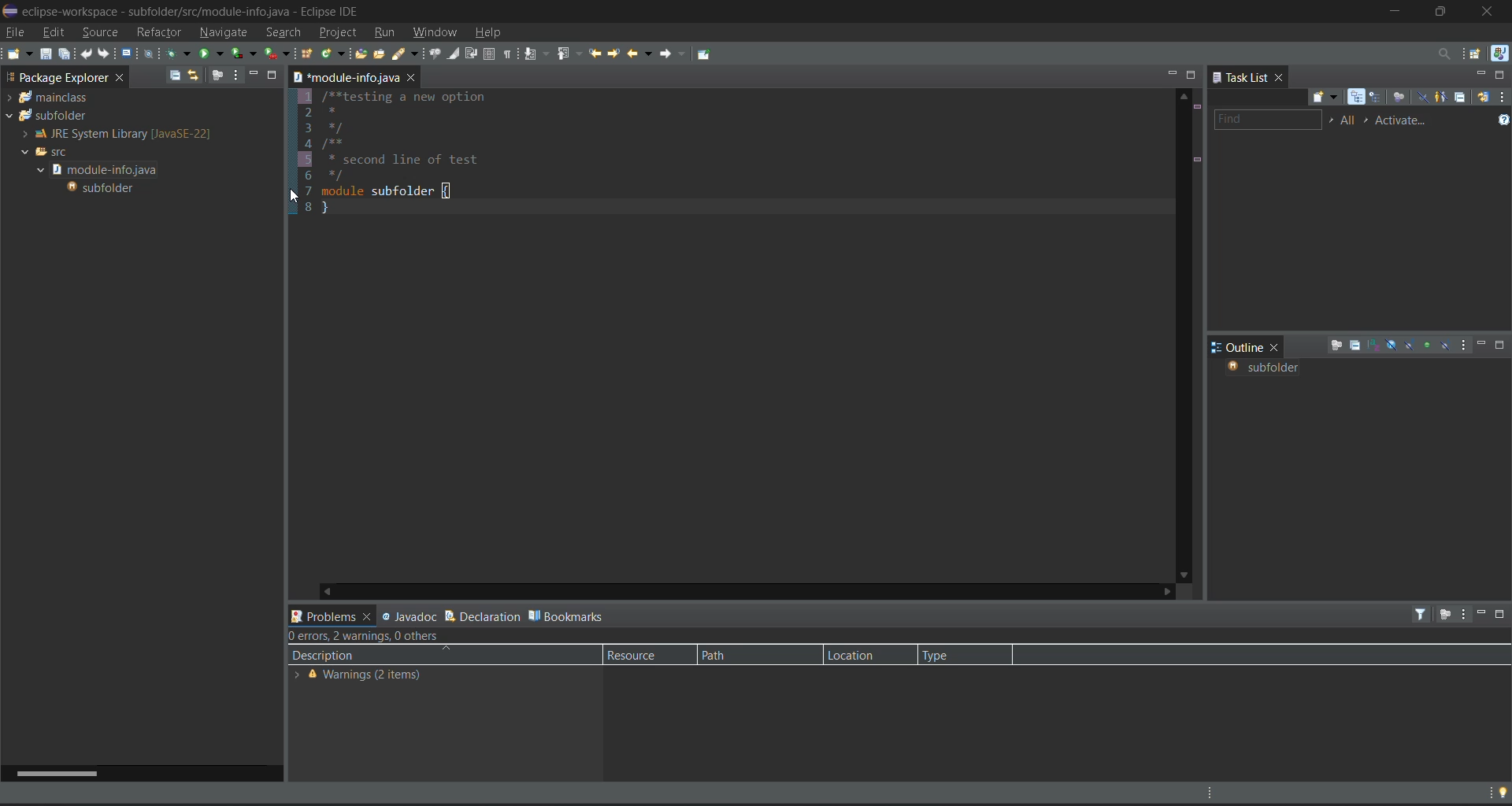  Describe the element at coordinates (1482, 344) in the screenshot. I see `minimize` at that location.